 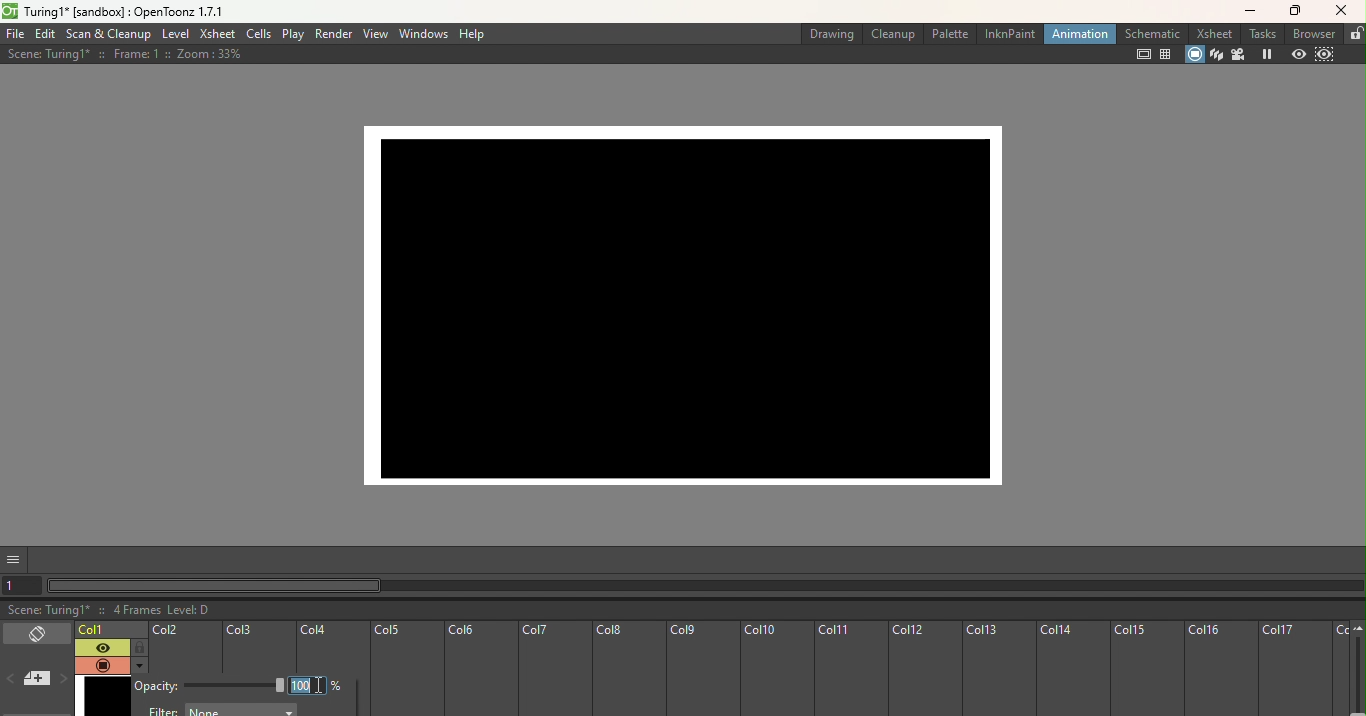 What do you see at coordinates (222, 710) in the screenshot?
I see `Filter` at bounding box center [222, 710].